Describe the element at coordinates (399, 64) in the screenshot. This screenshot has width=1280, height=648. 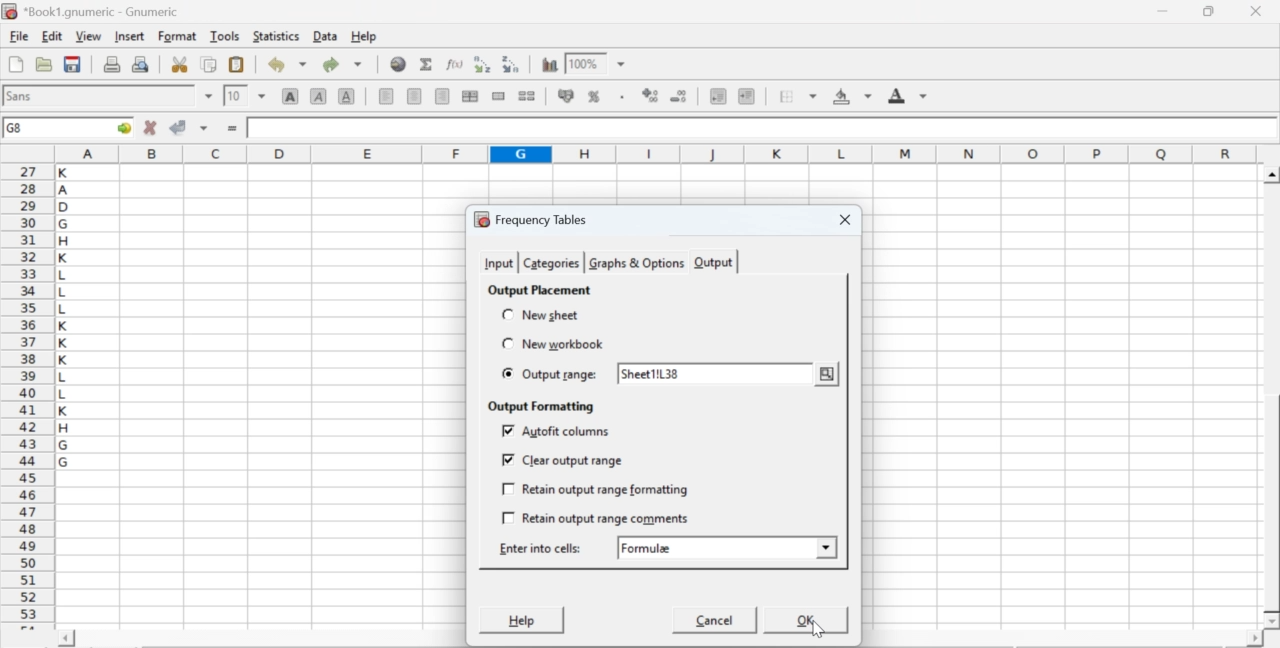
I see `insert hyperlink` at that location.